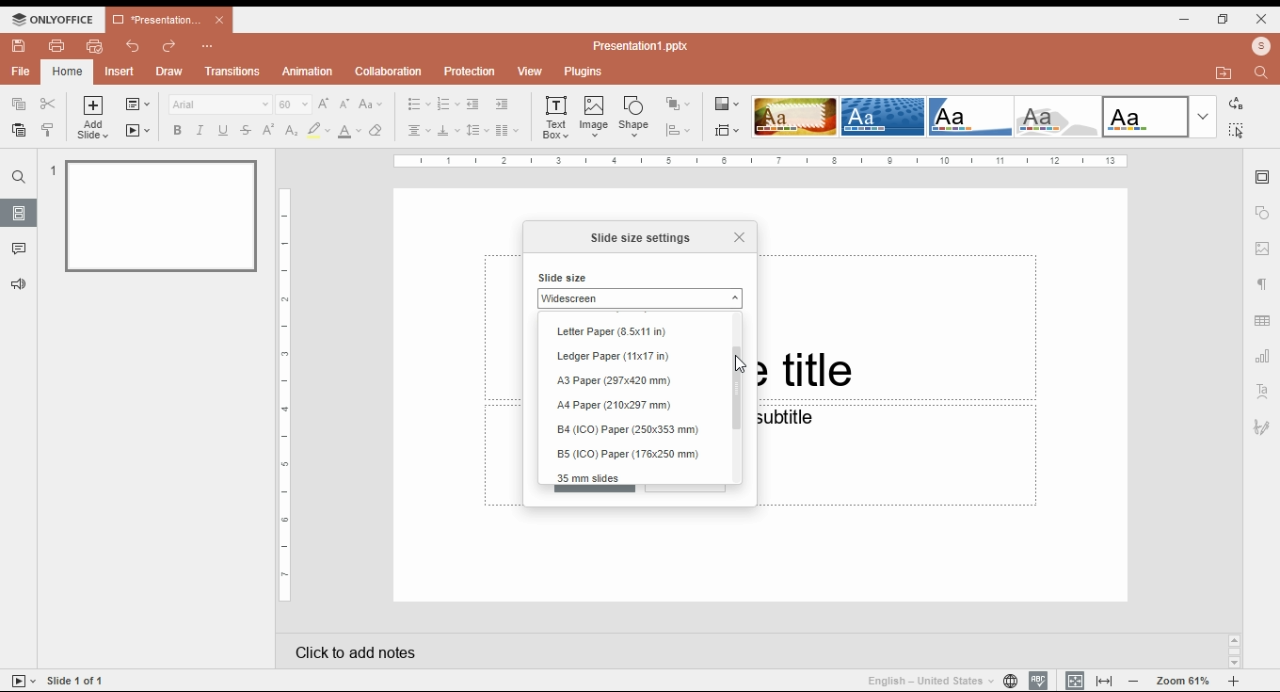 This screenshot has width=1280, height=692. I want to click on increase indent, so click(501, 104).